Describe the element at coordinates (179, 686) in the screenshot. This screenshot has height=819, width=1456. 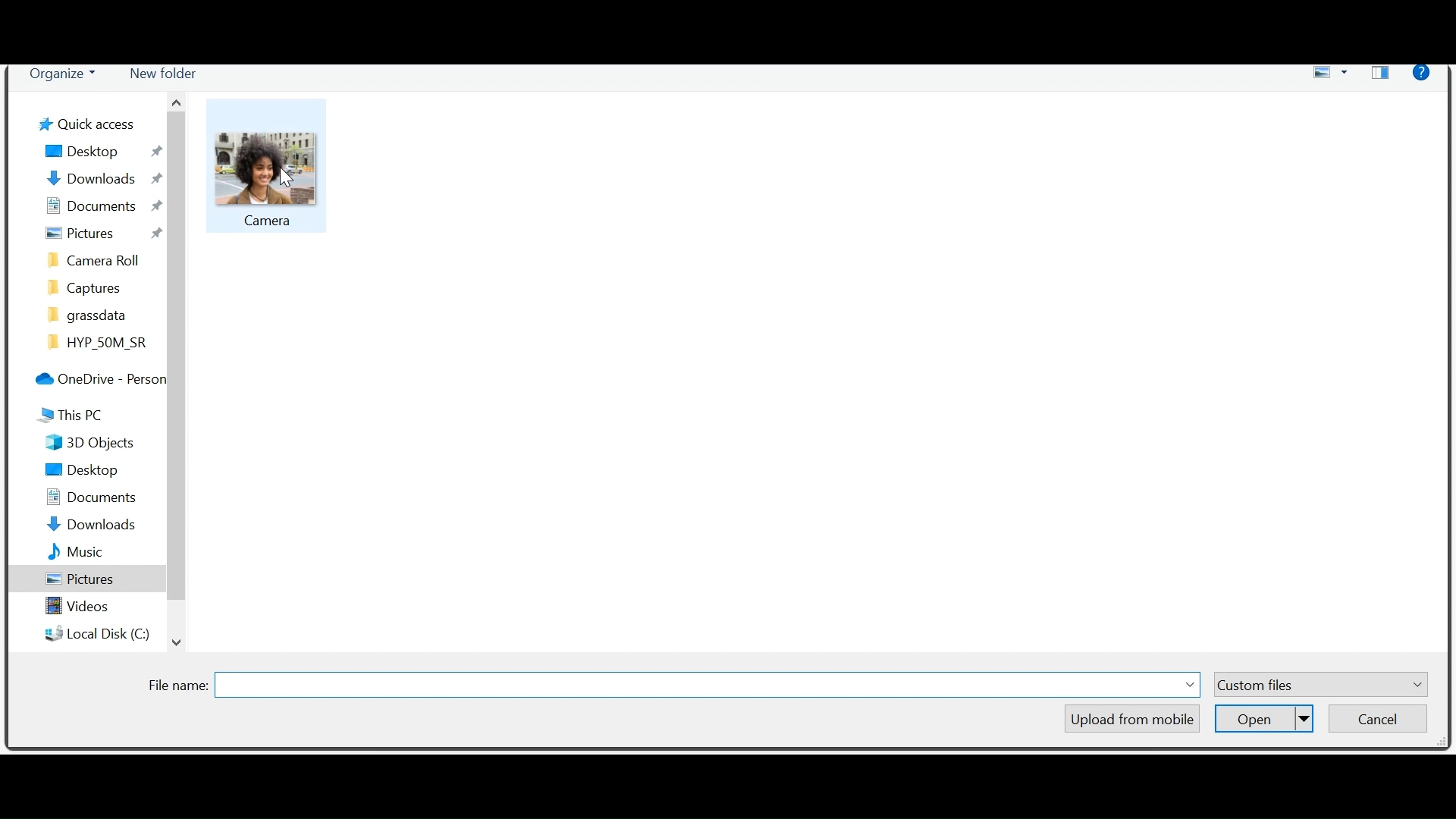
I see `File Name` at that location.